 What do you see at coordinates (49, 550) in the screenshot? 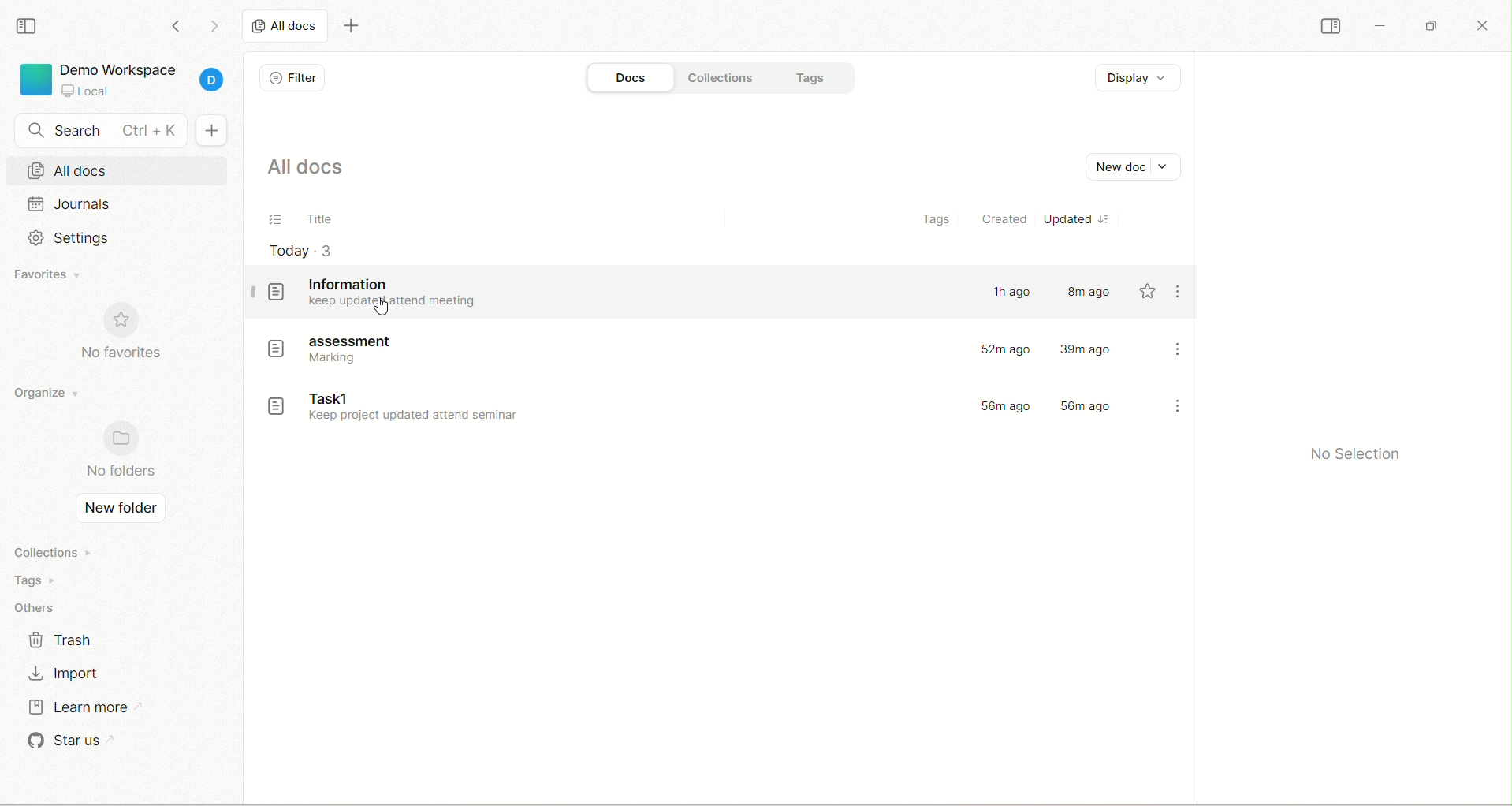
I see `collections` at bounding box center [49, 550].